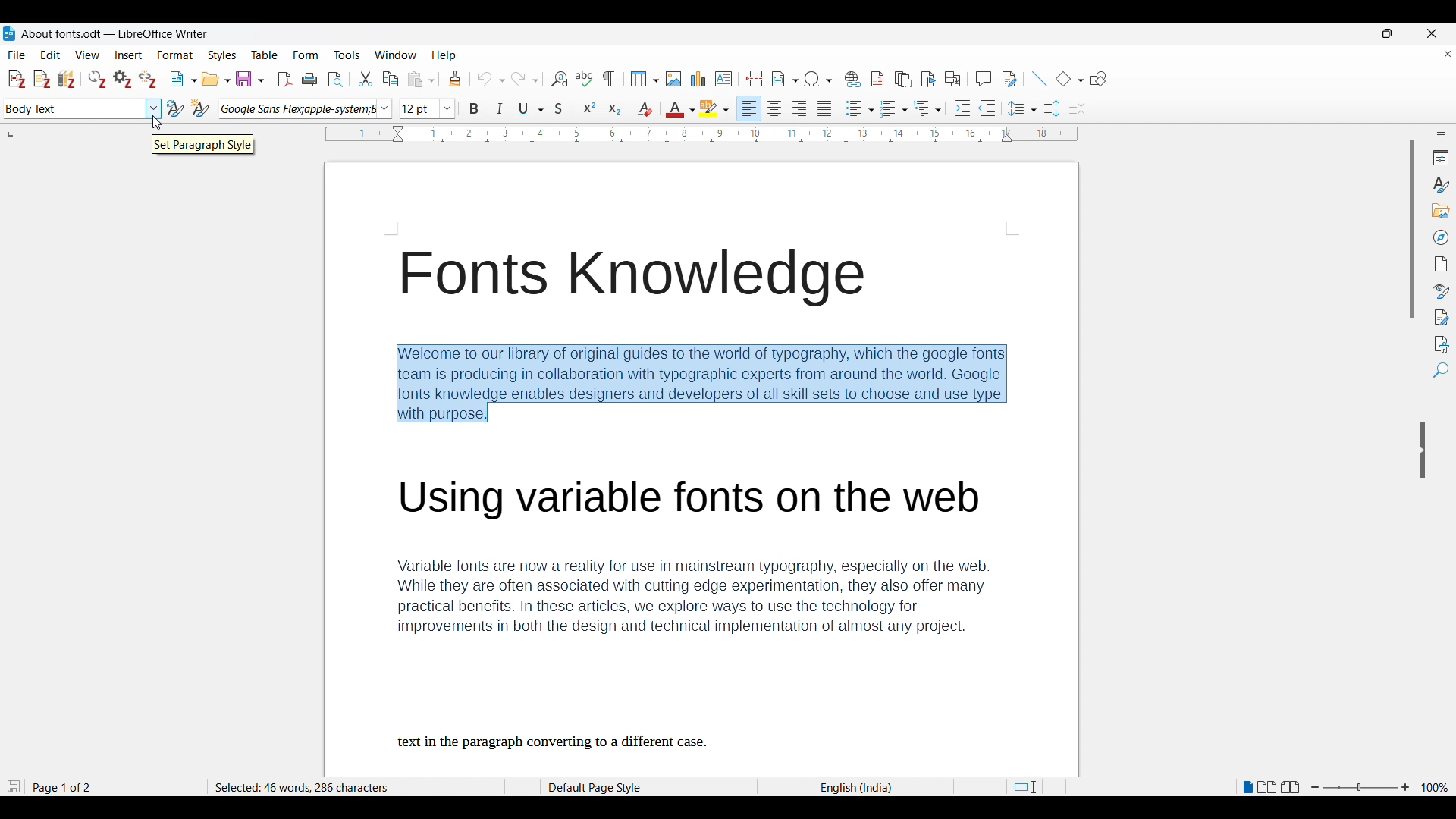  Describe the element at coordinates (853, 79) in the screenshot. I see `Insert hyperlink` at that location.